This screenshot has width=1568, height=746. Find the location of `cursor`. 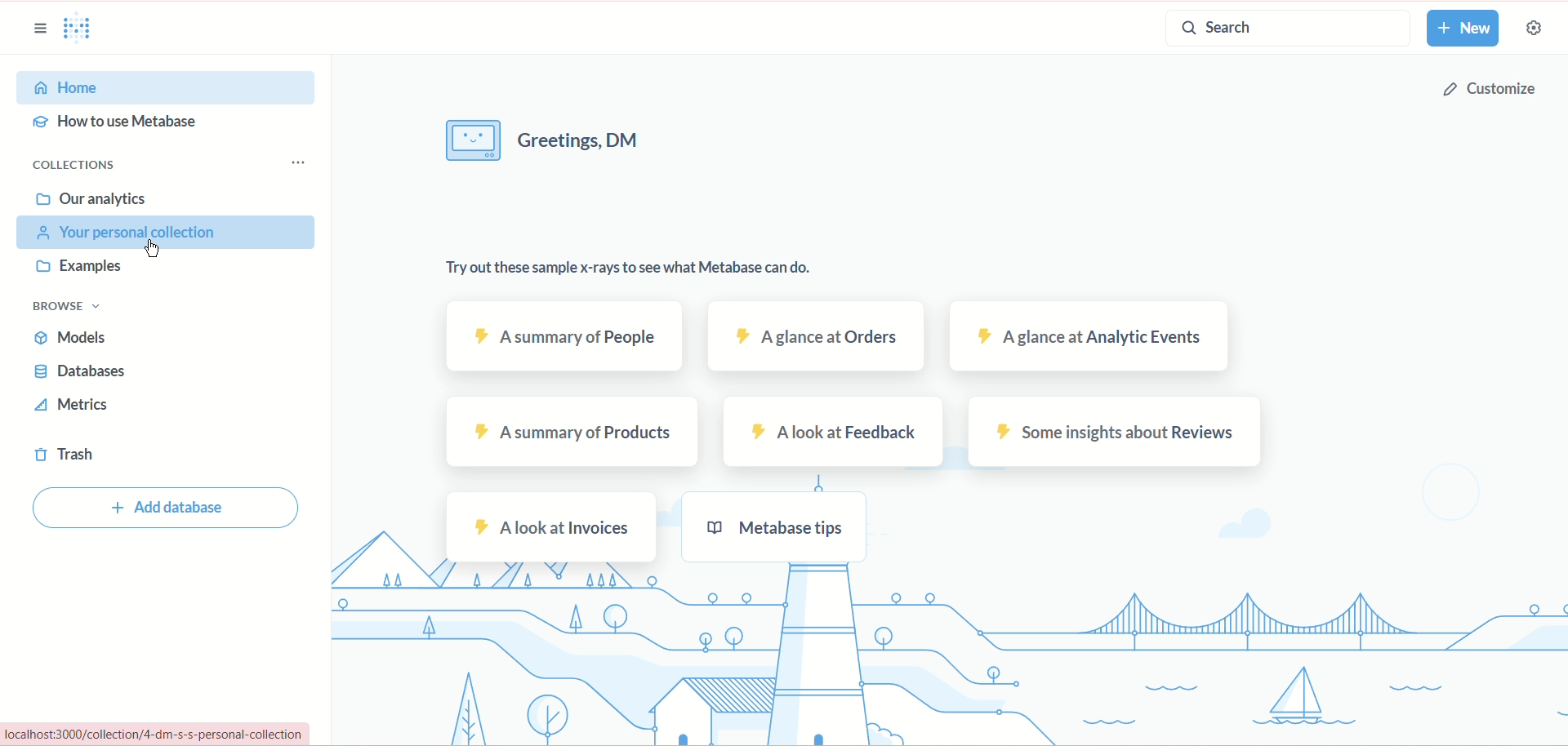

cursor is located at coordinates (154, 251).